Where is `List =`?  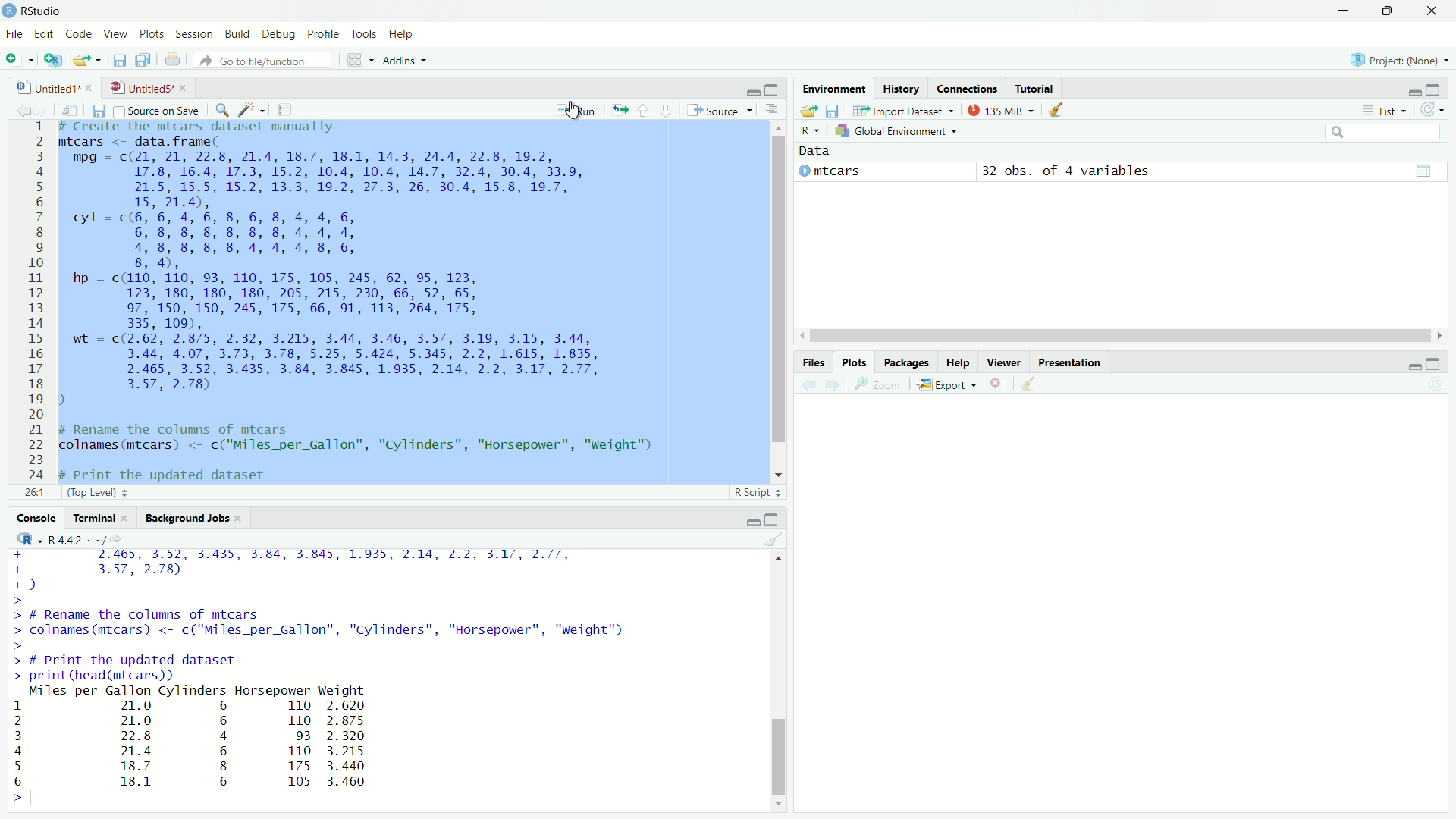
List = is located at coordinates (1382, 110).